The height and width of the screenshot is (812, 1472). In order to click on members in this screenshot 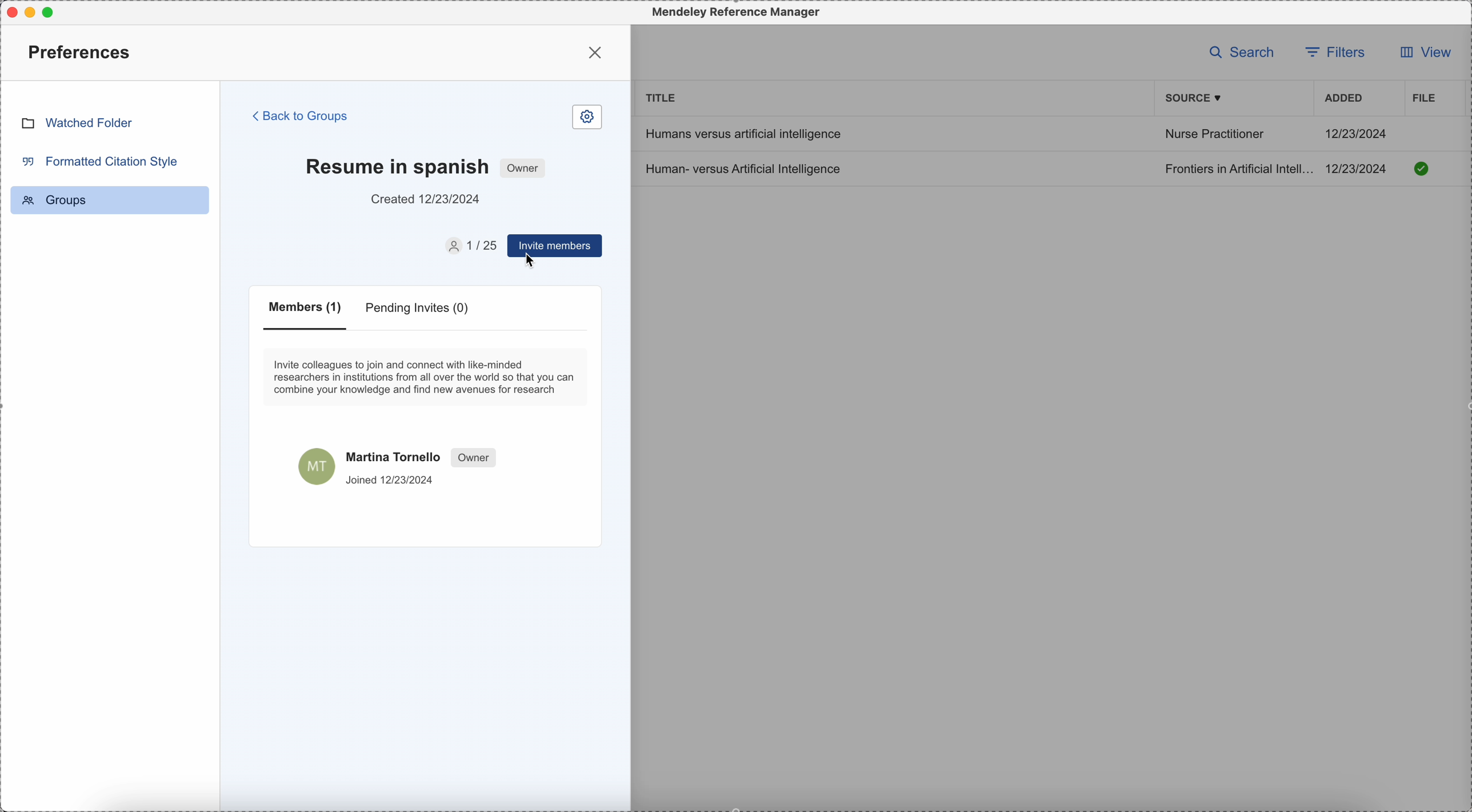, I will do `click(469, 246)`.